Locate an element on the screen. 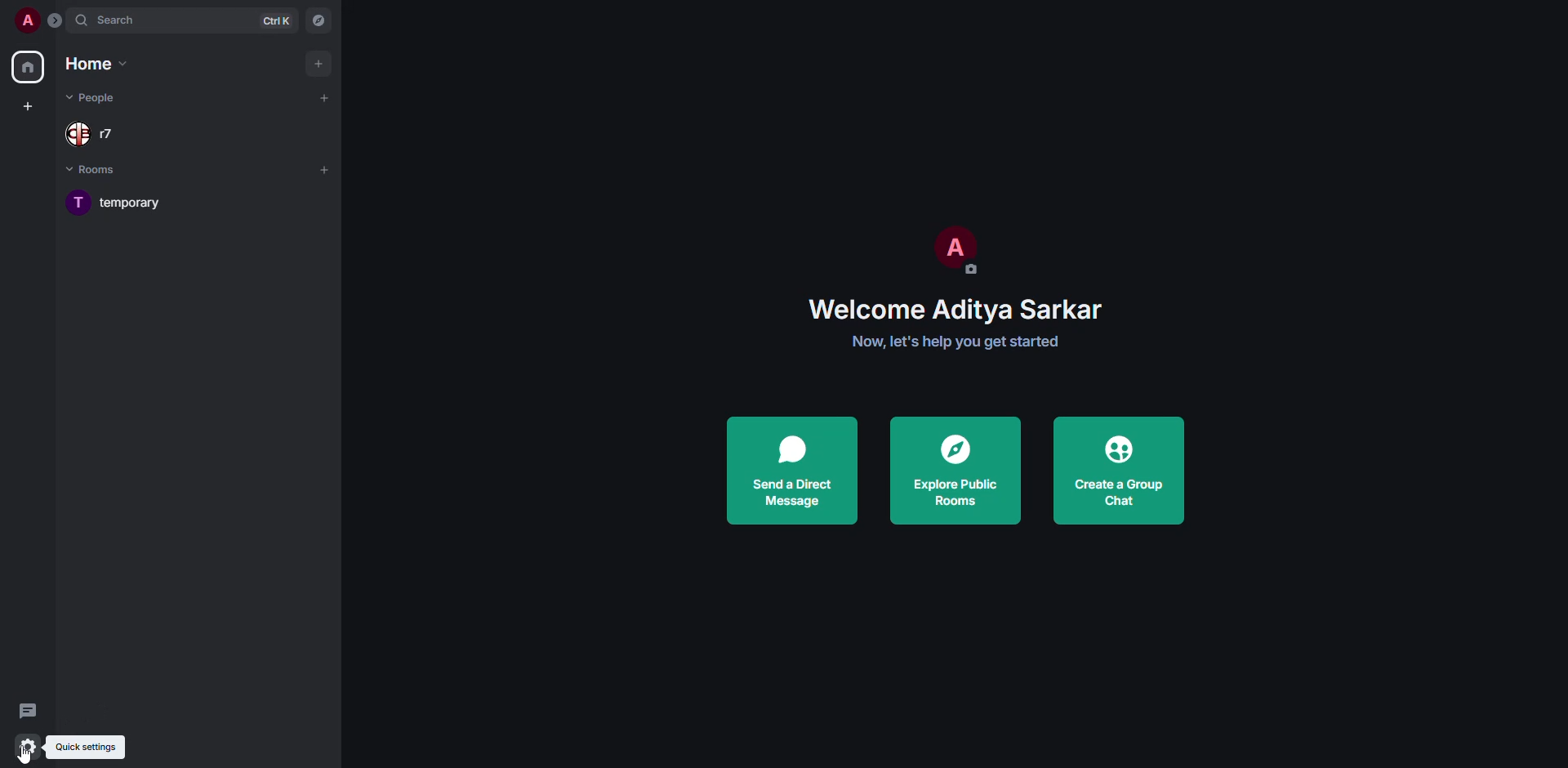  profile pic is located at coordinates (959, 248).